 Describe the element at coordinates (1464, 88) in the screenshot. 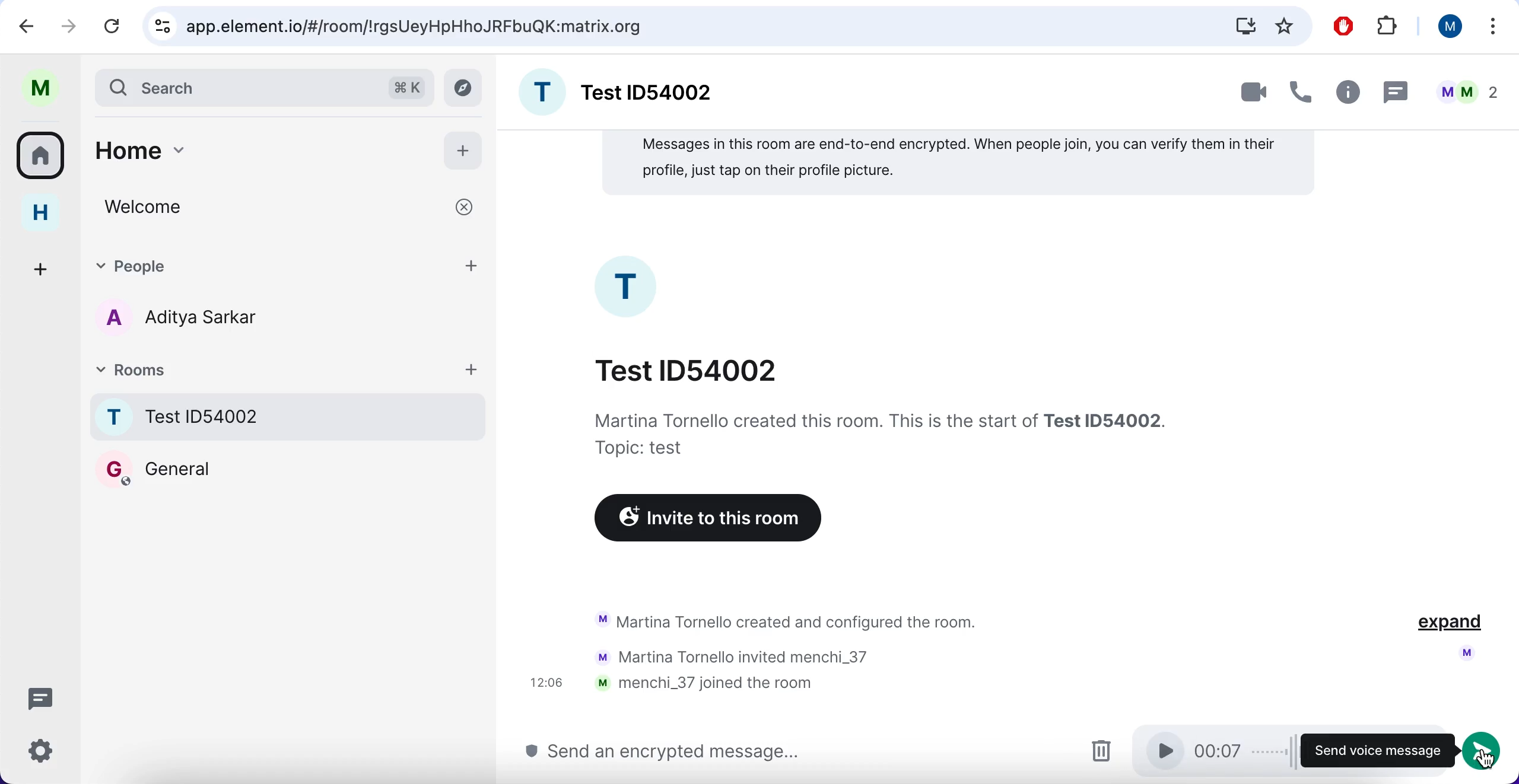

I see `people` at that location.